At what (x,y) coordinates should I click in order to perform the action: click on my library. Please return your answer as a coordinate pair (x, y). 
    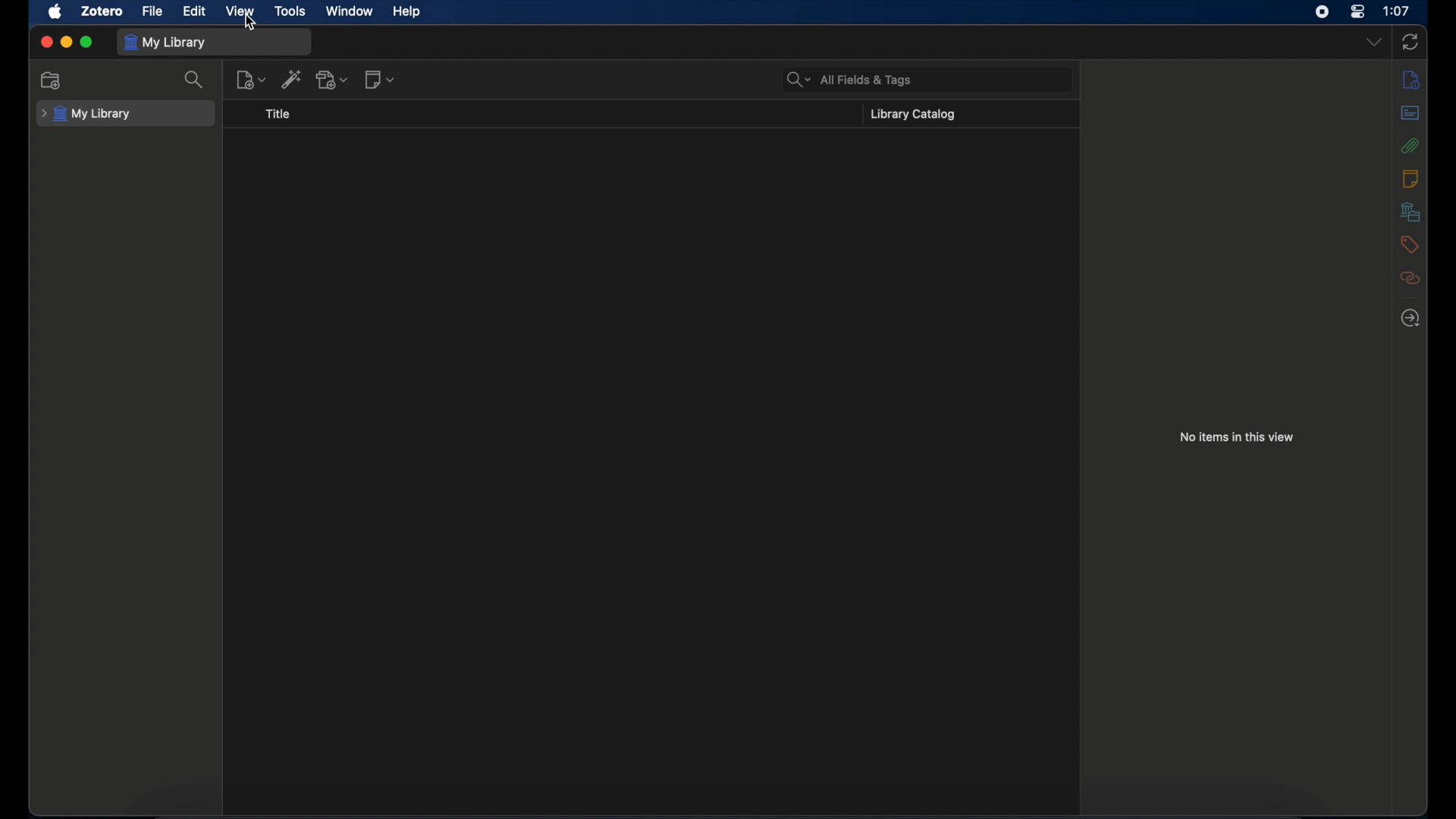
    Looking at the image, I should click on (164, 43).